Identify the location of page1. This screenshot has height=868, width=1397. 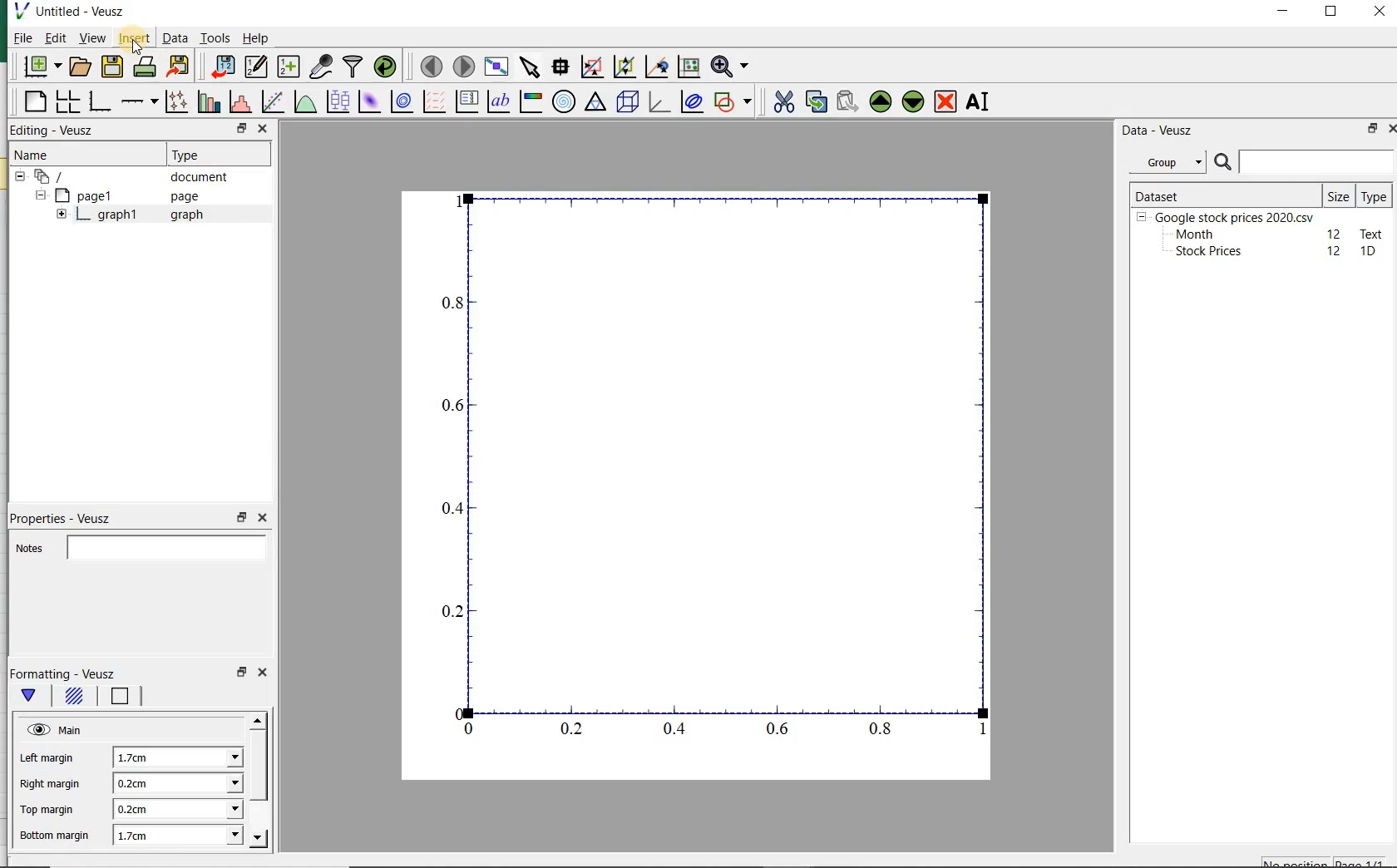
(121, 196).